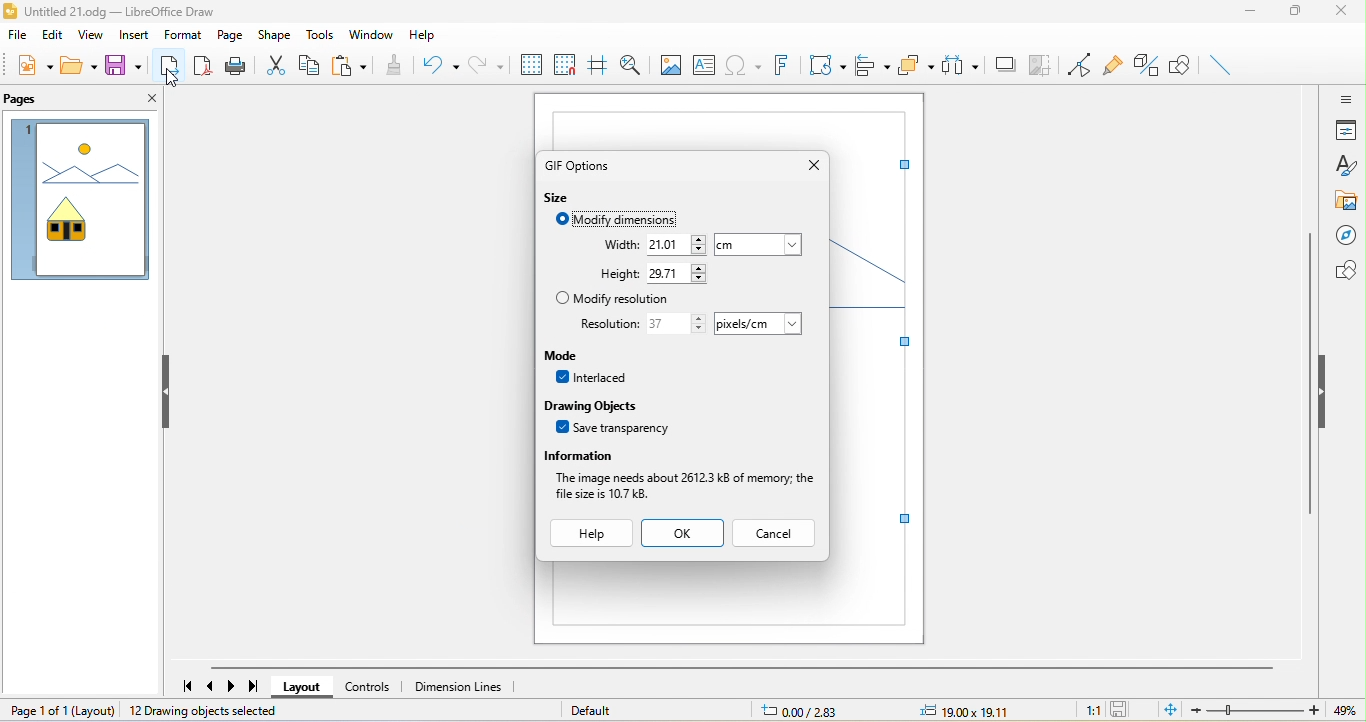 The width and height of the screenshot is (1366, 722). I want to click on fontwork text, so click(779, 64).